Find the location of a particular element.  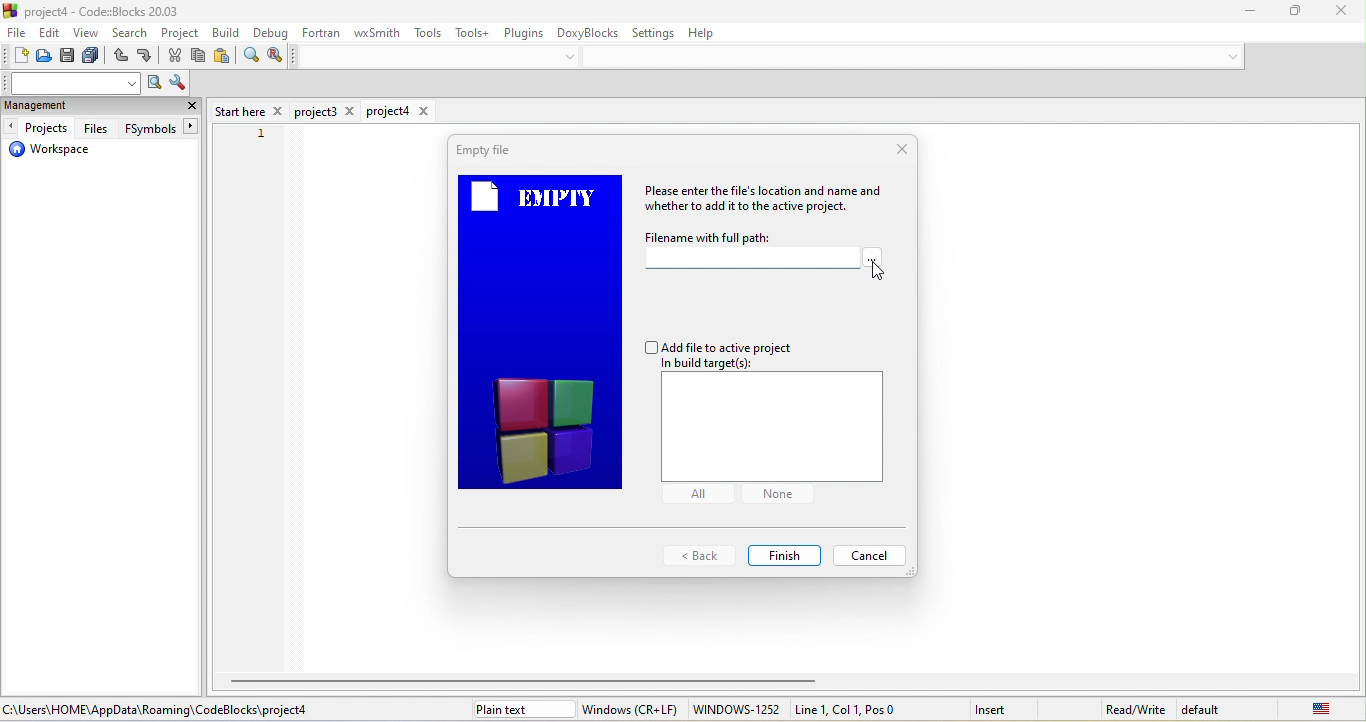

finish is located at coordinates (786, 556).